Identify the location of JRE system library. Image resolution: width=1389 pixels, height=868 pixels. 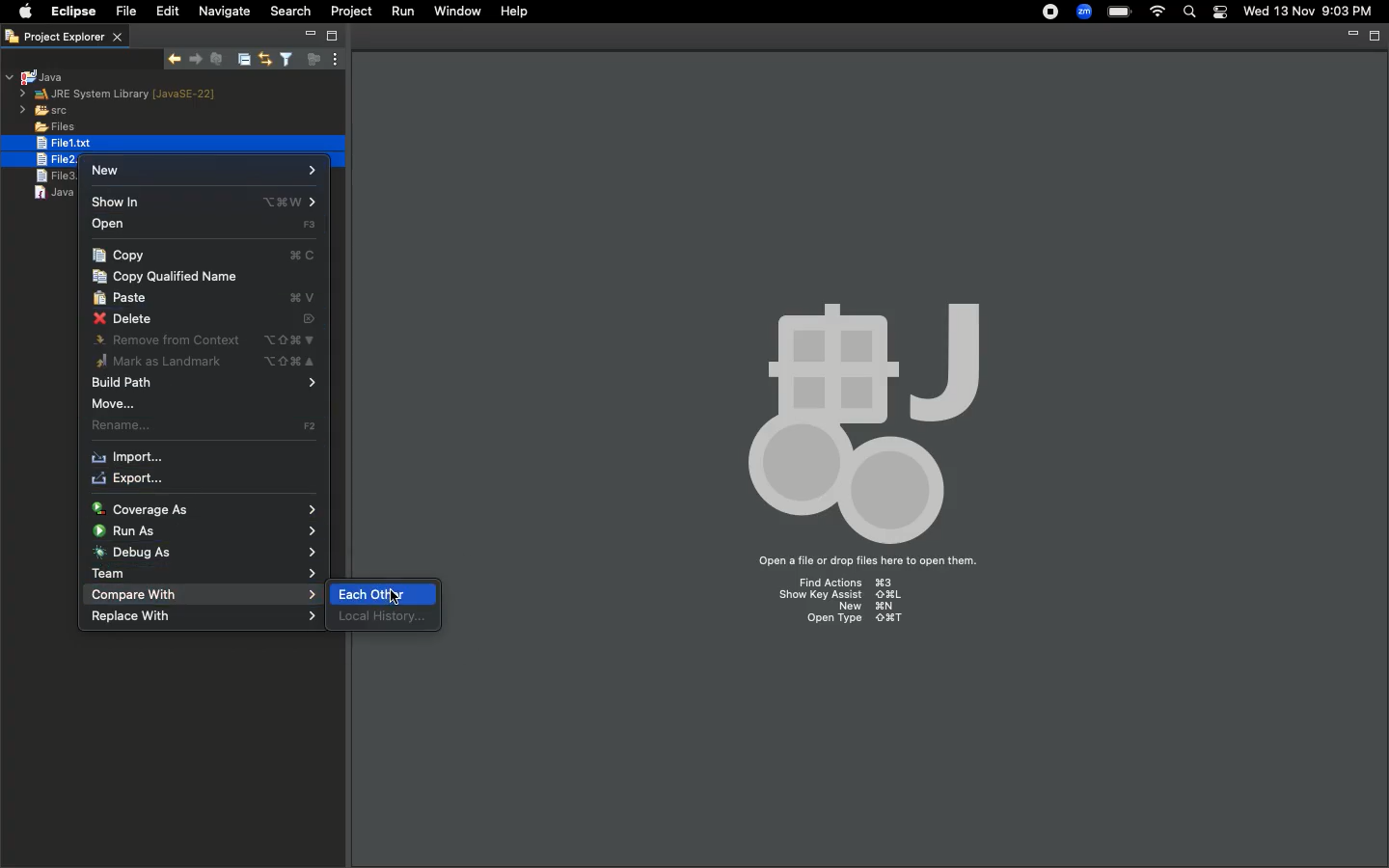
(122, 95).